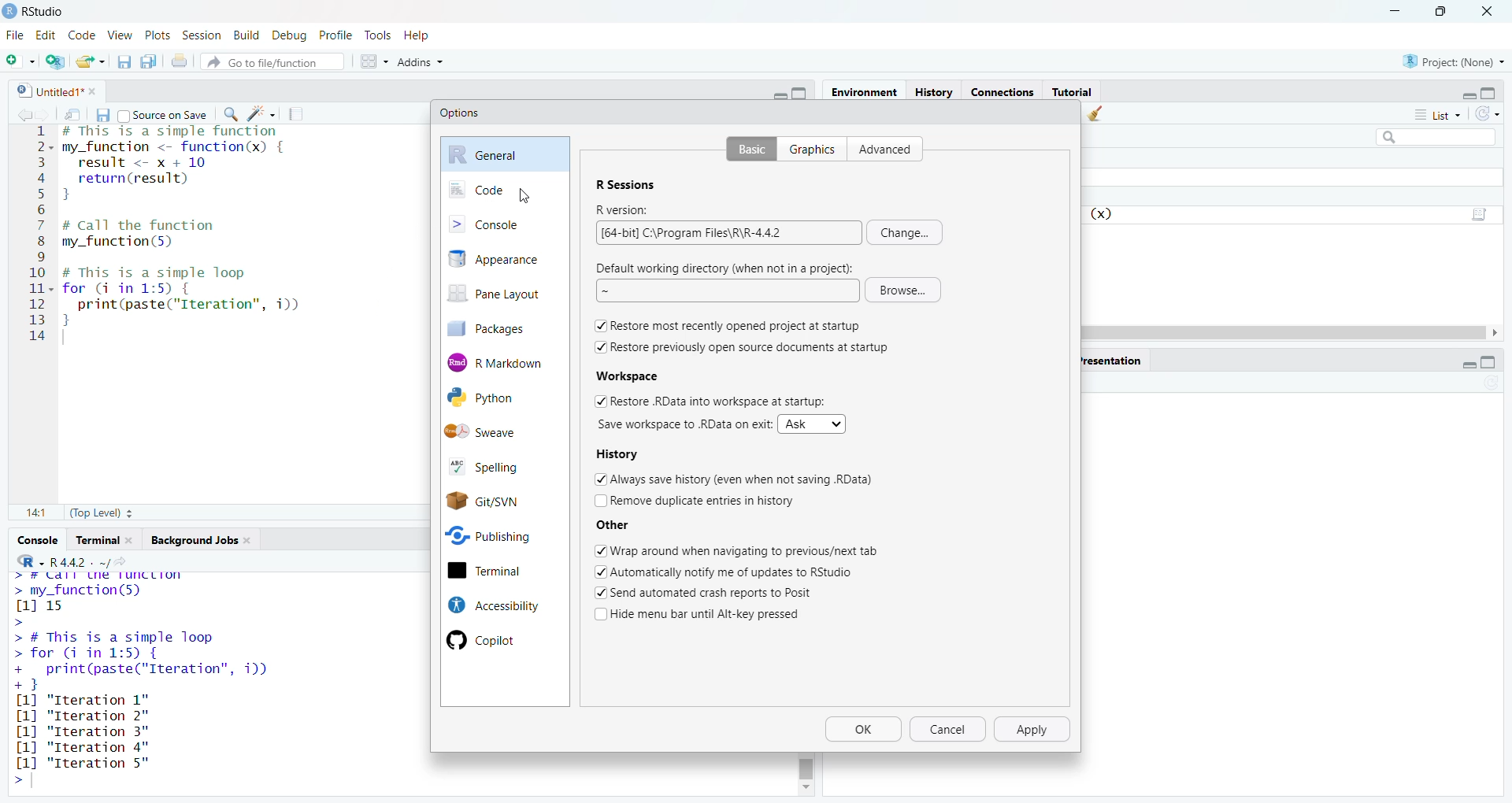  Describe the element at coordinates (194, 540) in the screenshot. I see `Background jobs` at that location.